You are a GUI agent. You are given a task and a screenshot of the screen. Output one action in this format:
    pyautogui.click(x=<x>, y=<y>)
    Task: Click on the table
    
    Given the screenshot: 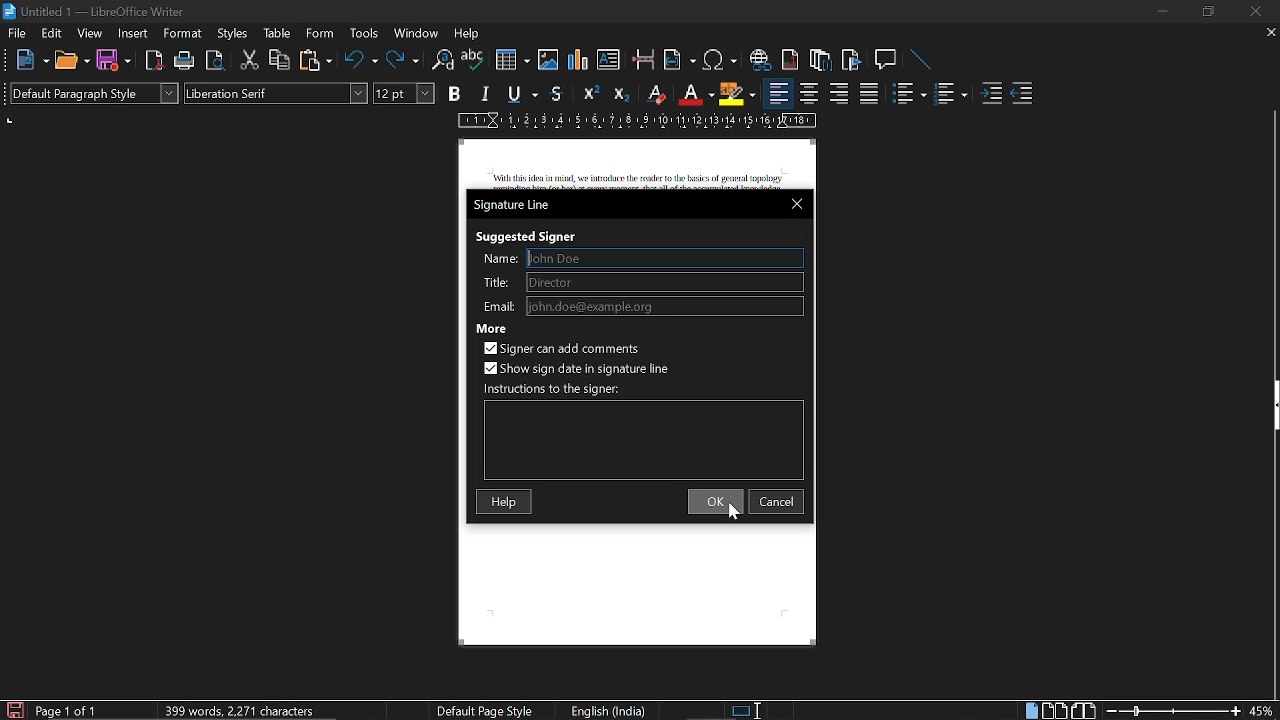 What is the action you would take?
    pyautogui.click(x=278, y=35)
    